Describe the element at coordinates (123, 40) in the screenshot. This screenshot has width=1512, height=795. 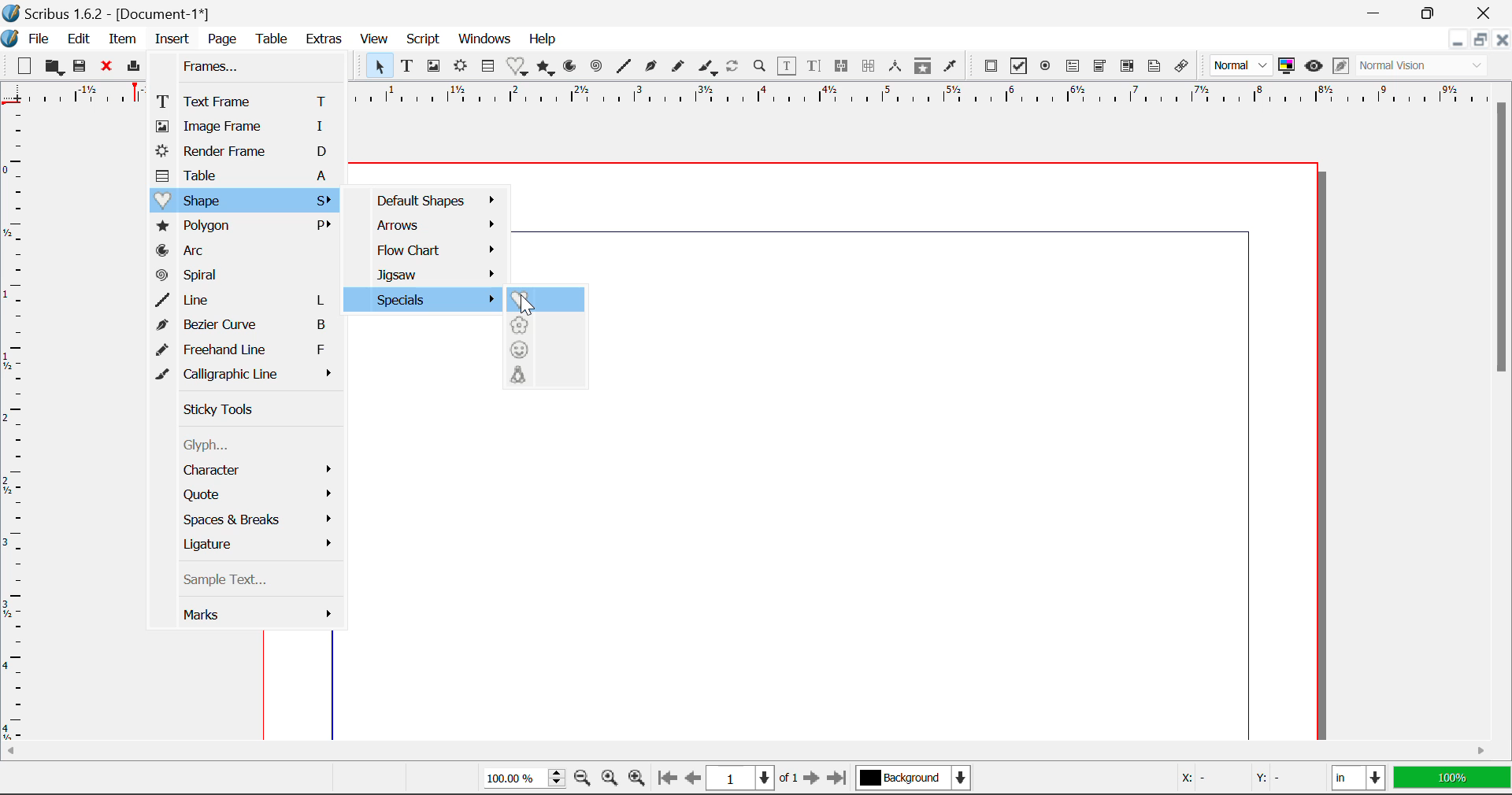
I see `Item` at that location.